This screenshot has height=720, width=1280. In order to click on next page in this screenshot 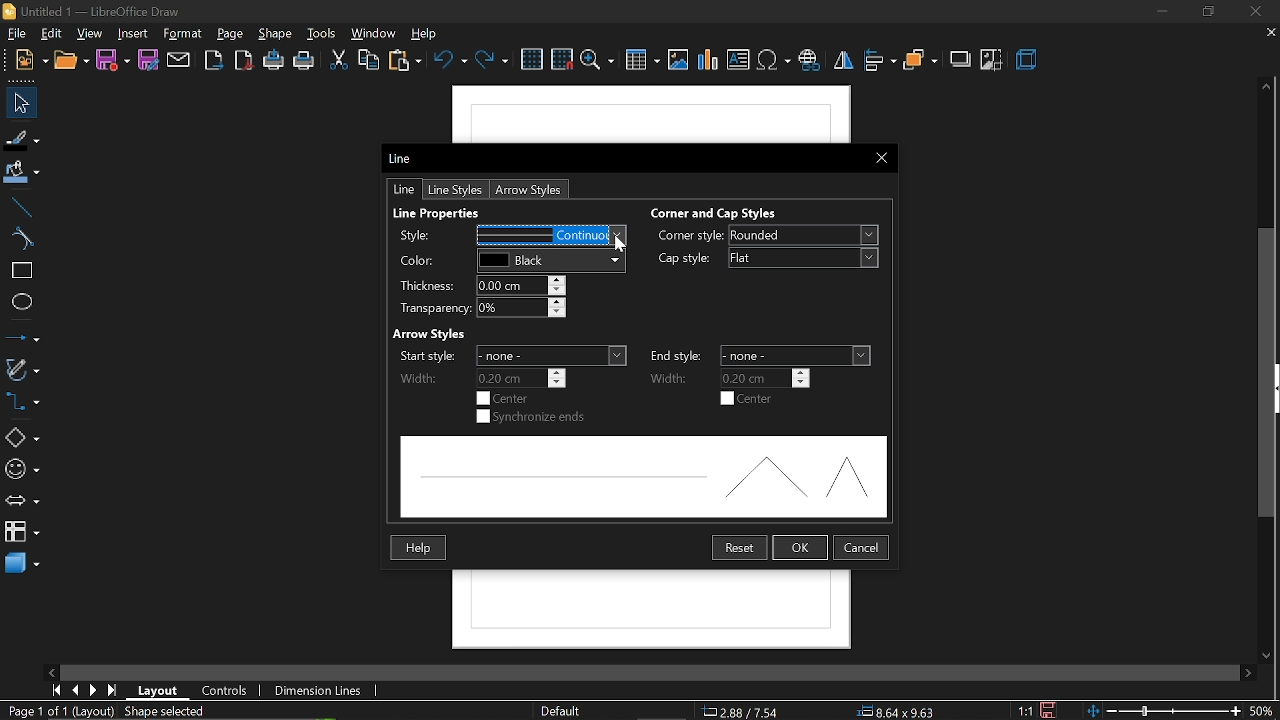, I will do `click(94, 689)`.